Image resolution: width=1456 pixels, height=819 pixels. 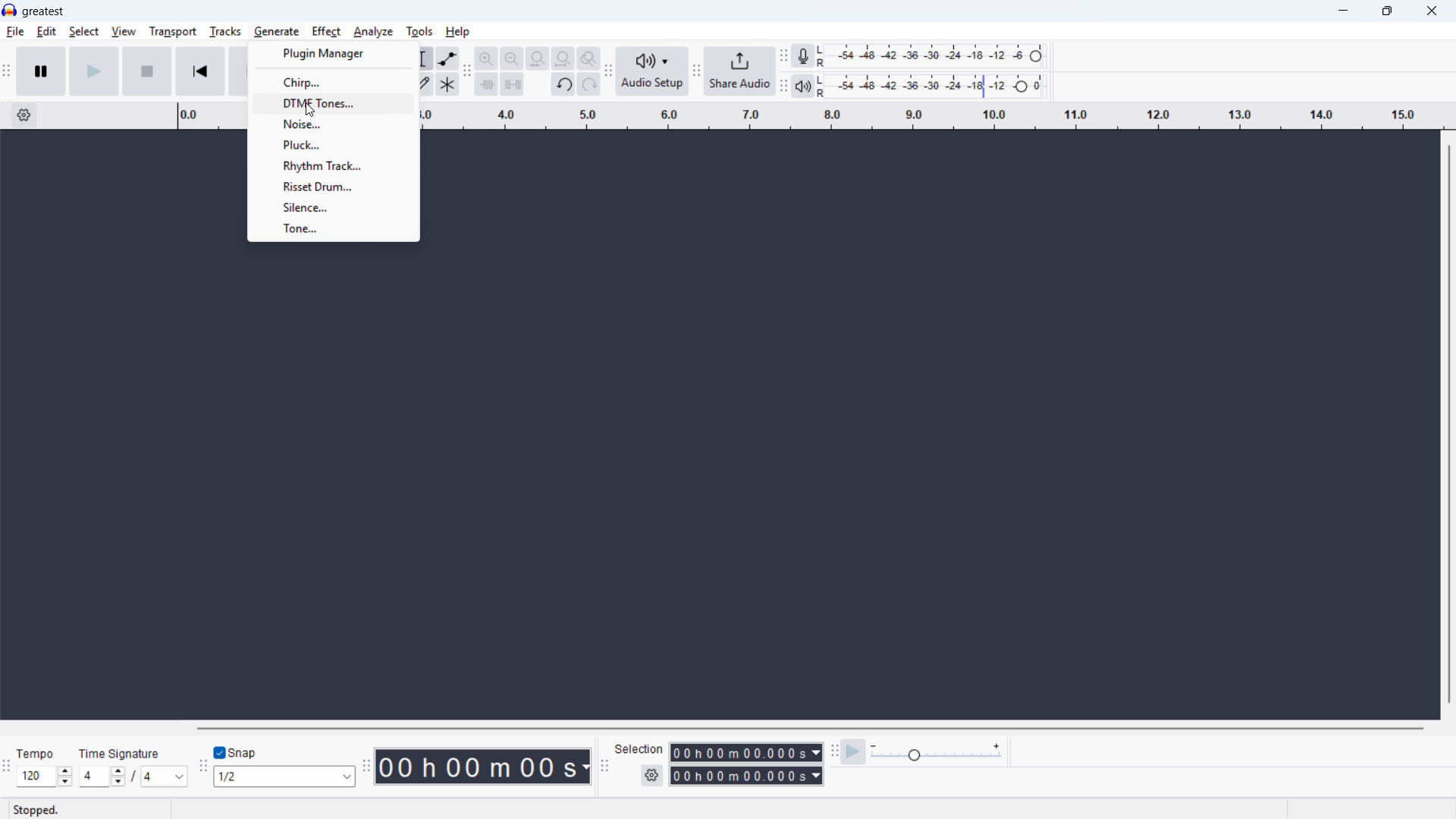 What do you see at coordinates (43, 11) in the screenshot?
I see `greatest` at bounding box center [43, 11].